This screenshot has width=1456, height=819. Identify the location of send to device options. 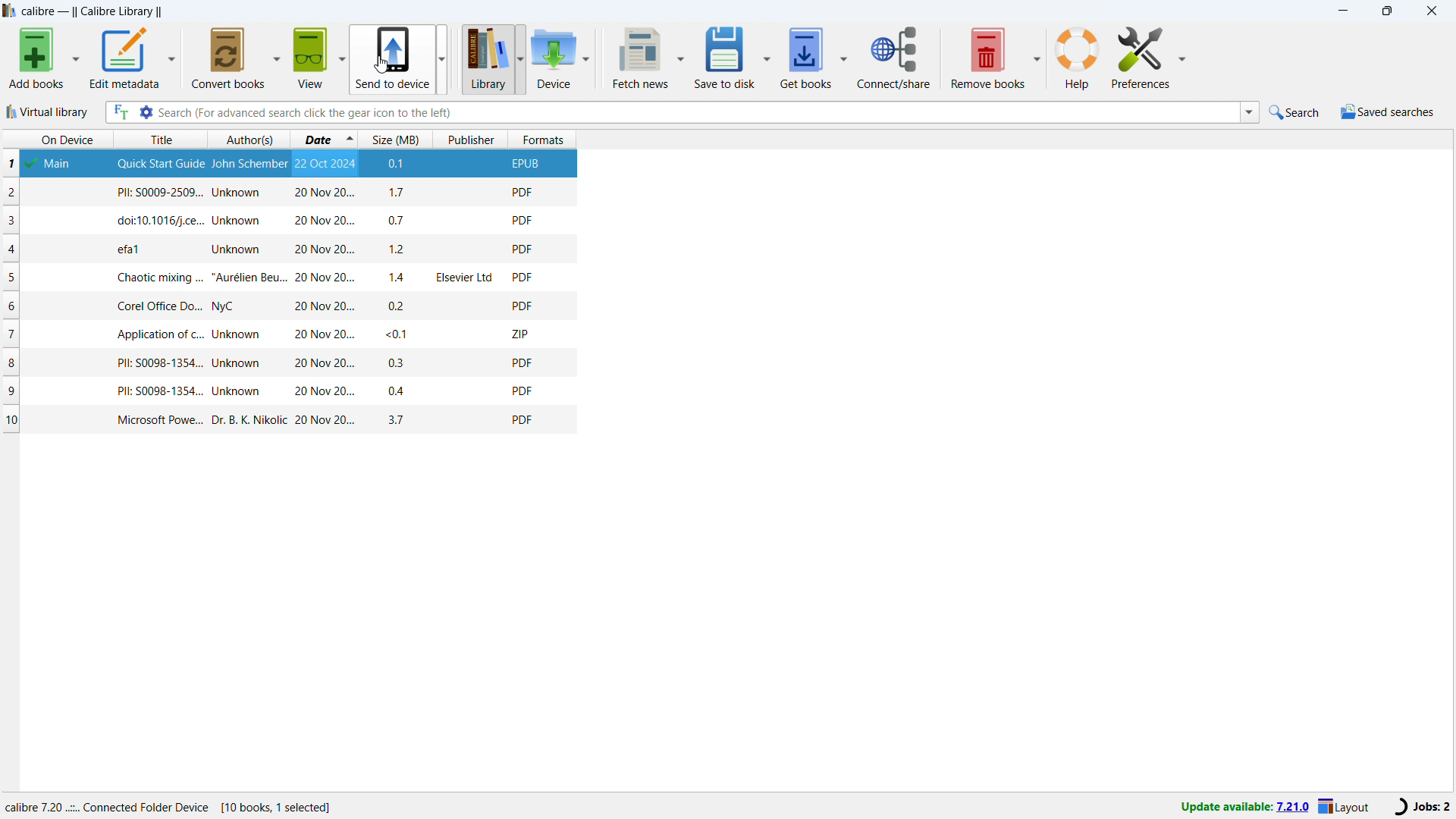
(442, 57).